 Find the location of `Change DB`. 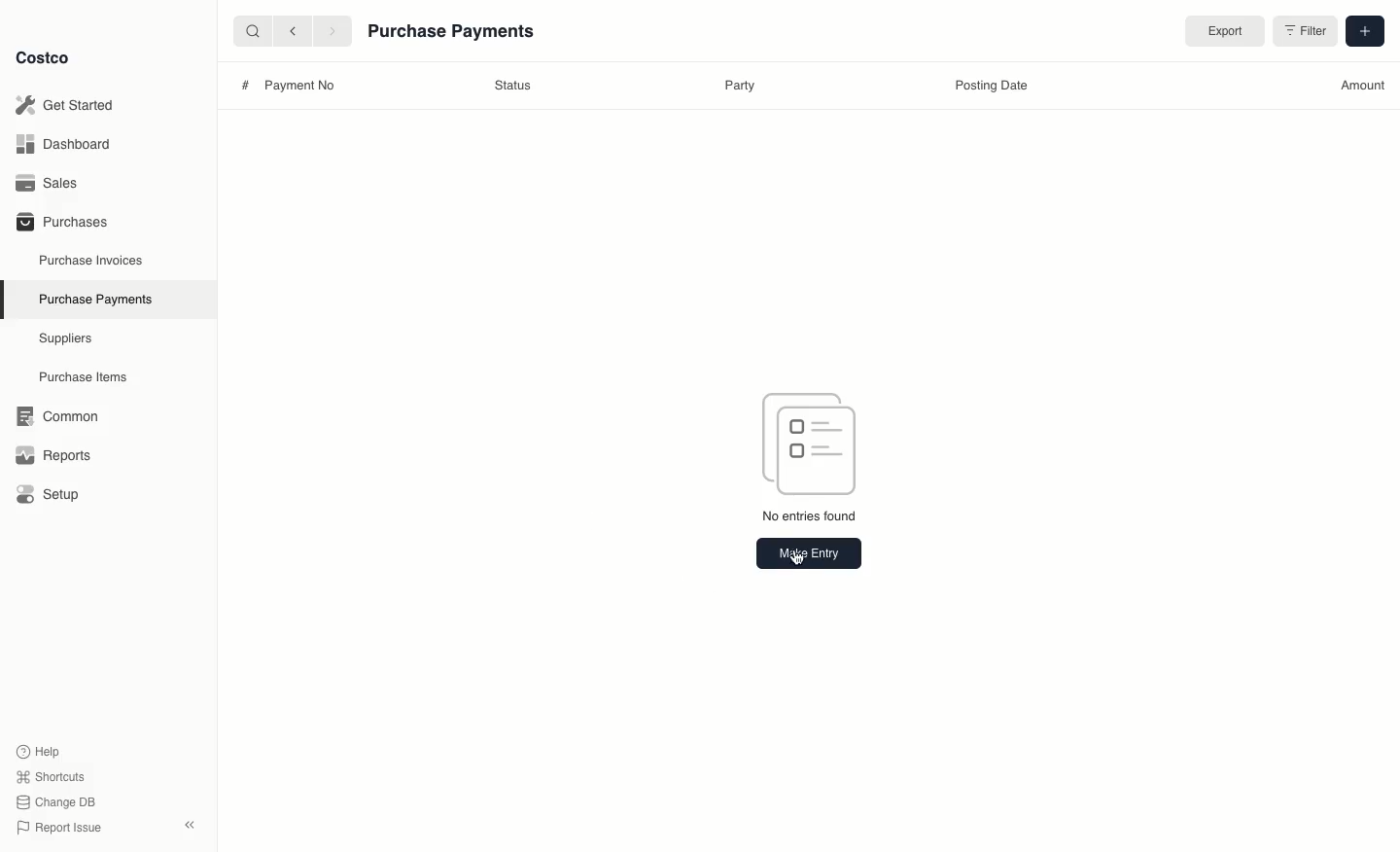

Change DB is located at coordinates (59, 802).